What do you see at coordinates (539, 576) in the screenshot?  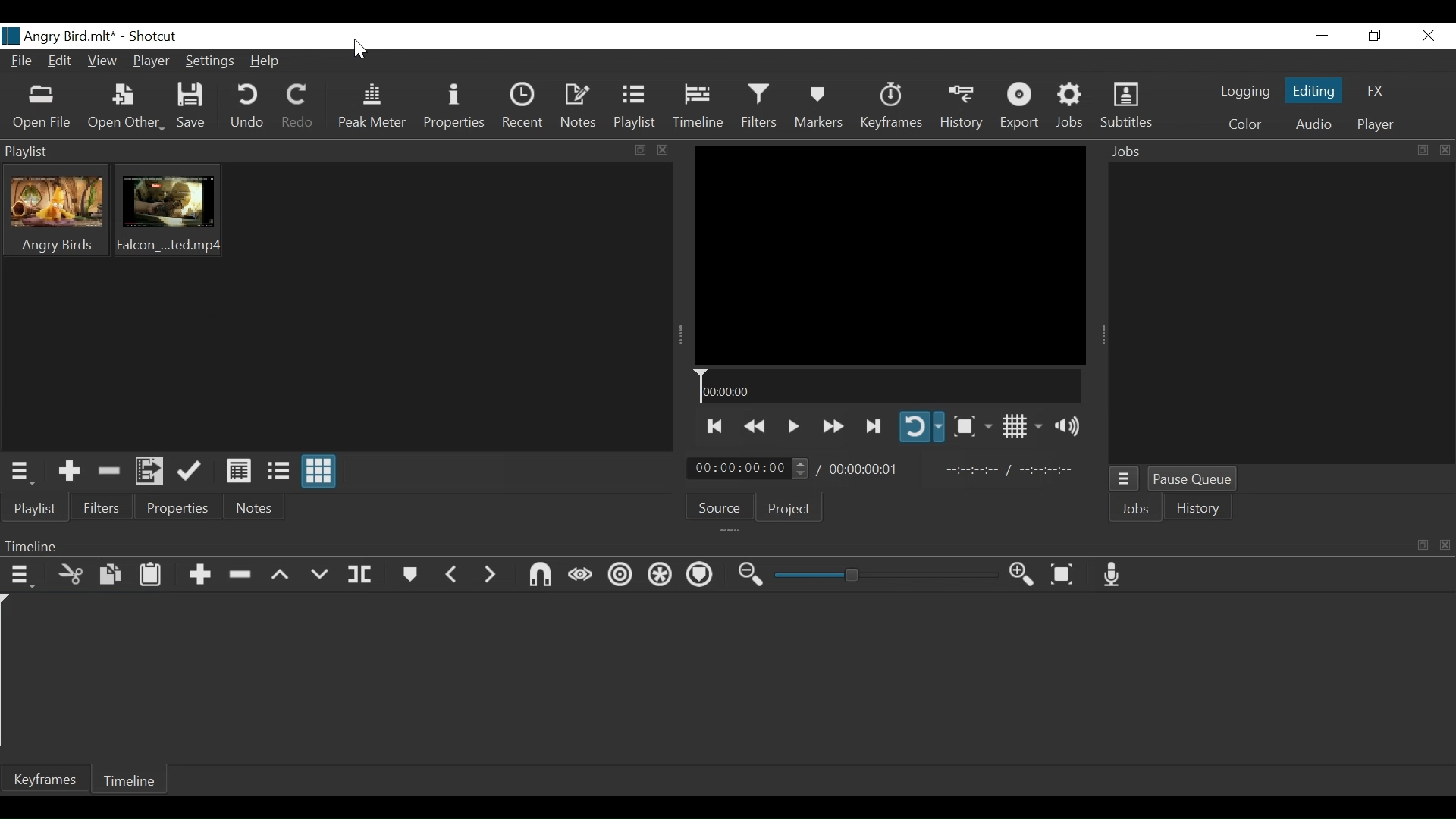 I see `Snap` at bounding box center [539, 576].